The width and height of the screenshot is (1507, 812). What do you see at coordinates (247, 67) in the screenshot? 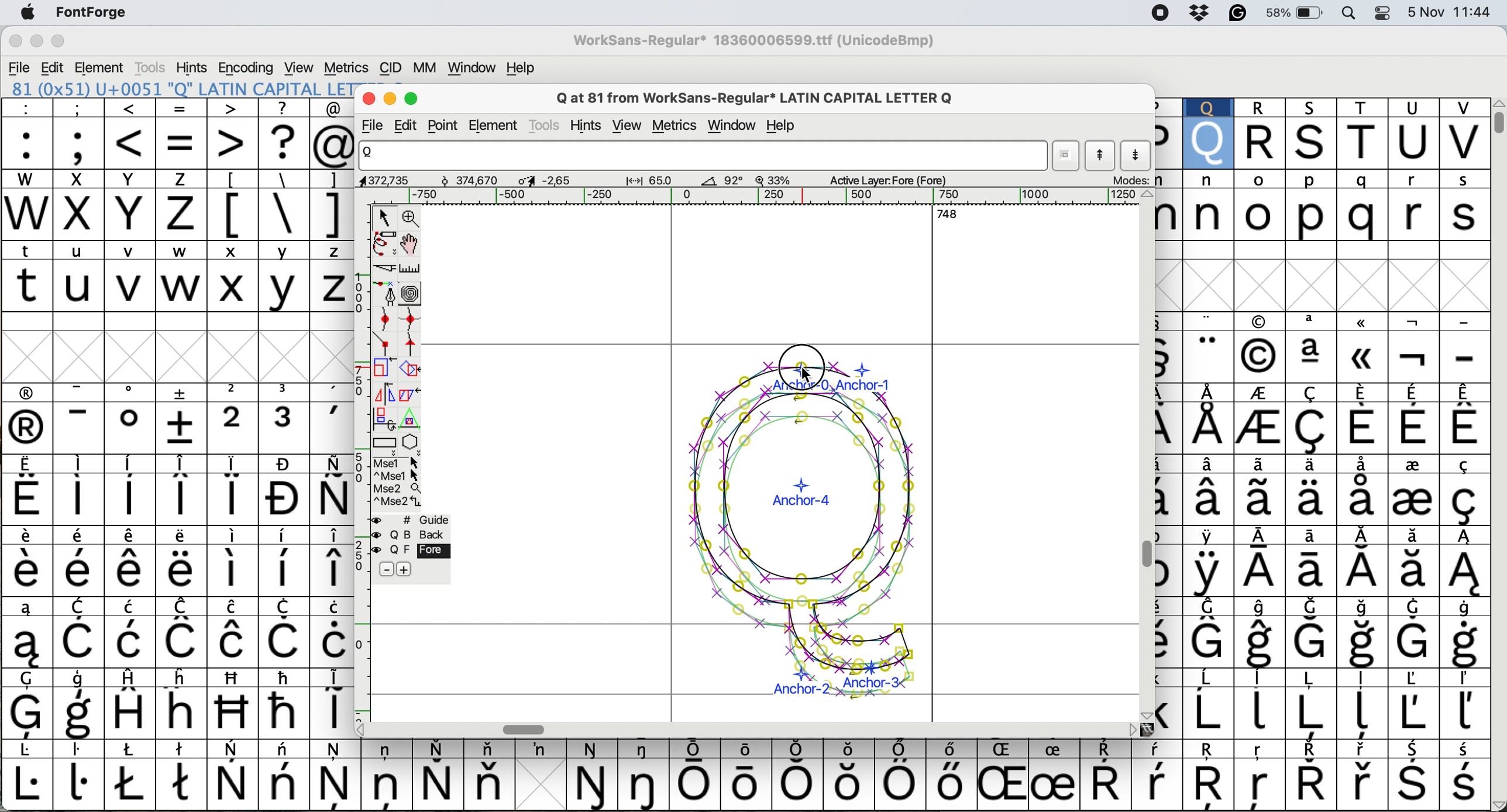
I see `encoding` at bounding box center [247, 67].